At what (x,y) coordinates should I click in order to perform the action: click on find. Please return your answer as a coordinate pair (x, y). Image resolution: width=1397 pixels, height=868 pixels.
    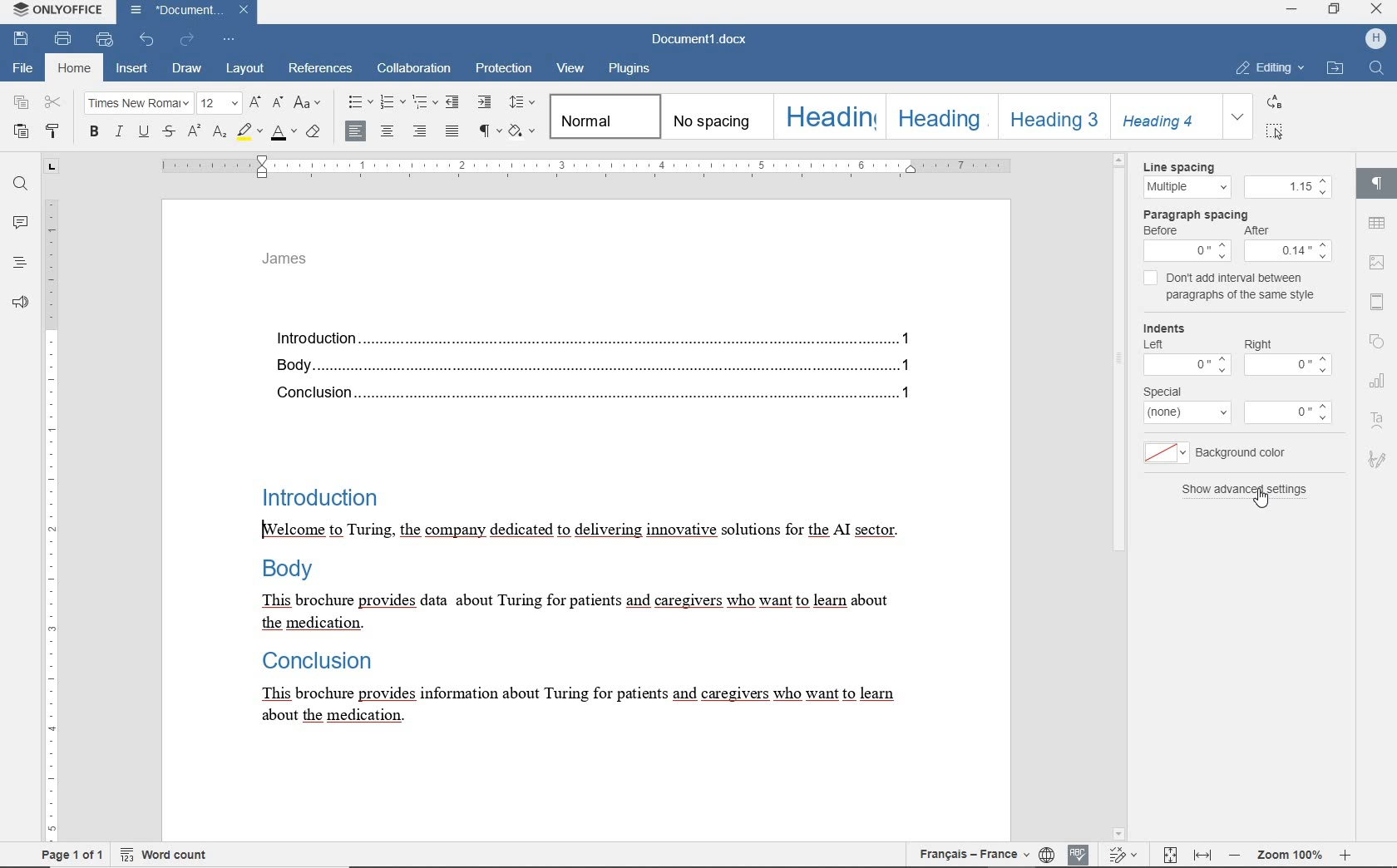
    Looking at the image, I should click on (21, 182).